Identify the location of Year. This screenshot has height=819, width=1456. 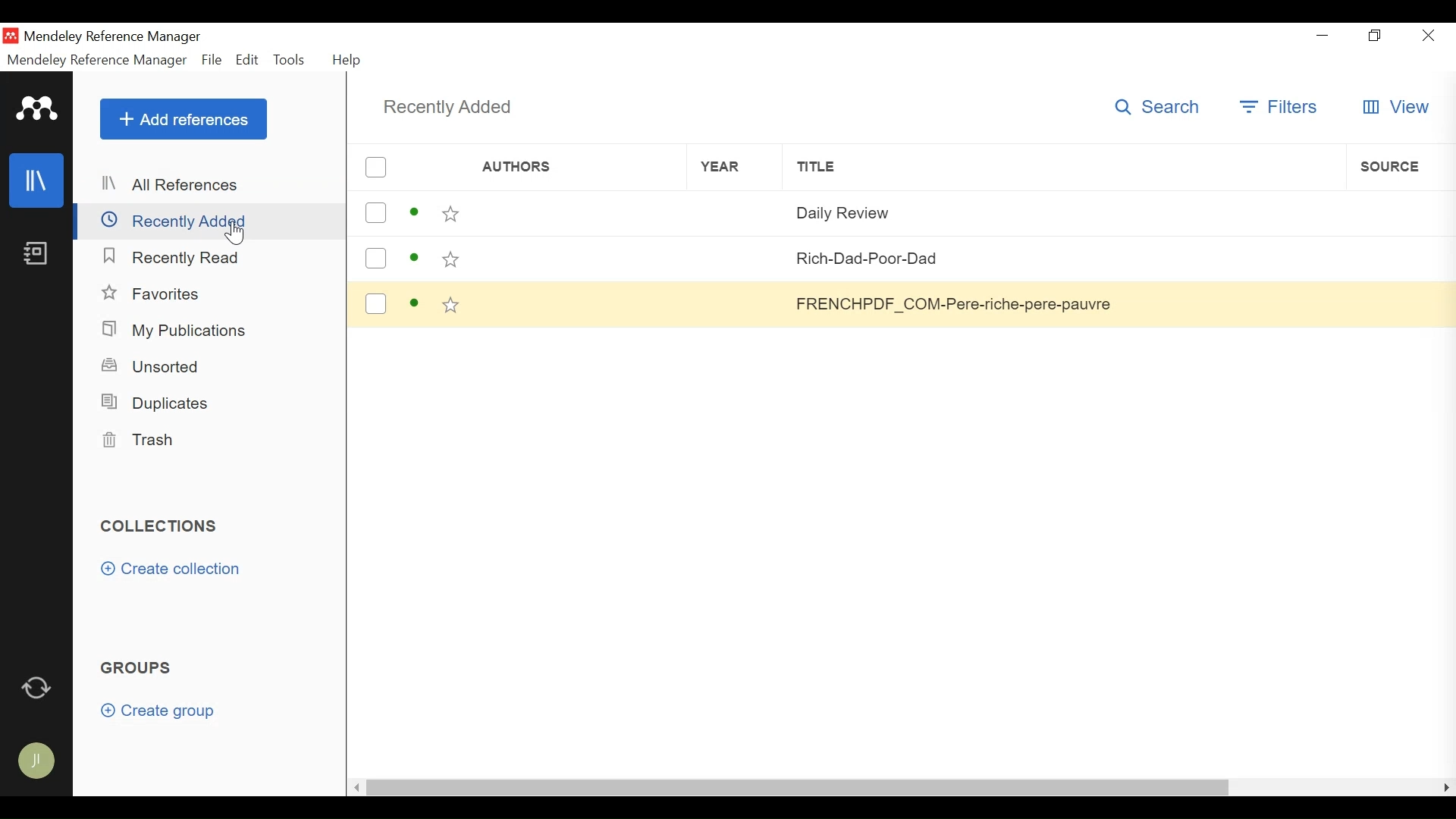
(713, 216).